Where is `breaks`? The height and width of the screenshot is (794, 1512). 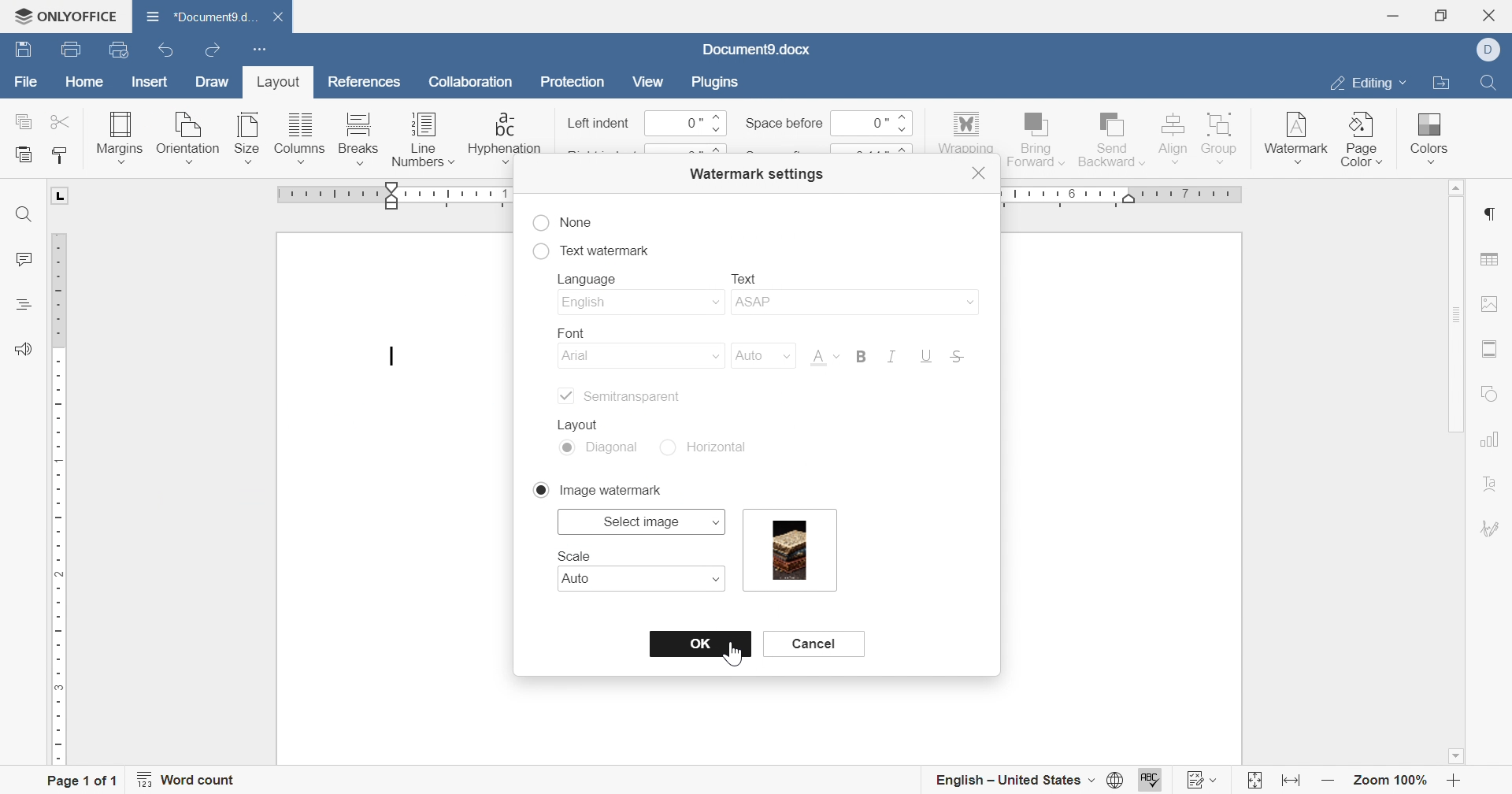 breaks is located at coordinates (355, 139).